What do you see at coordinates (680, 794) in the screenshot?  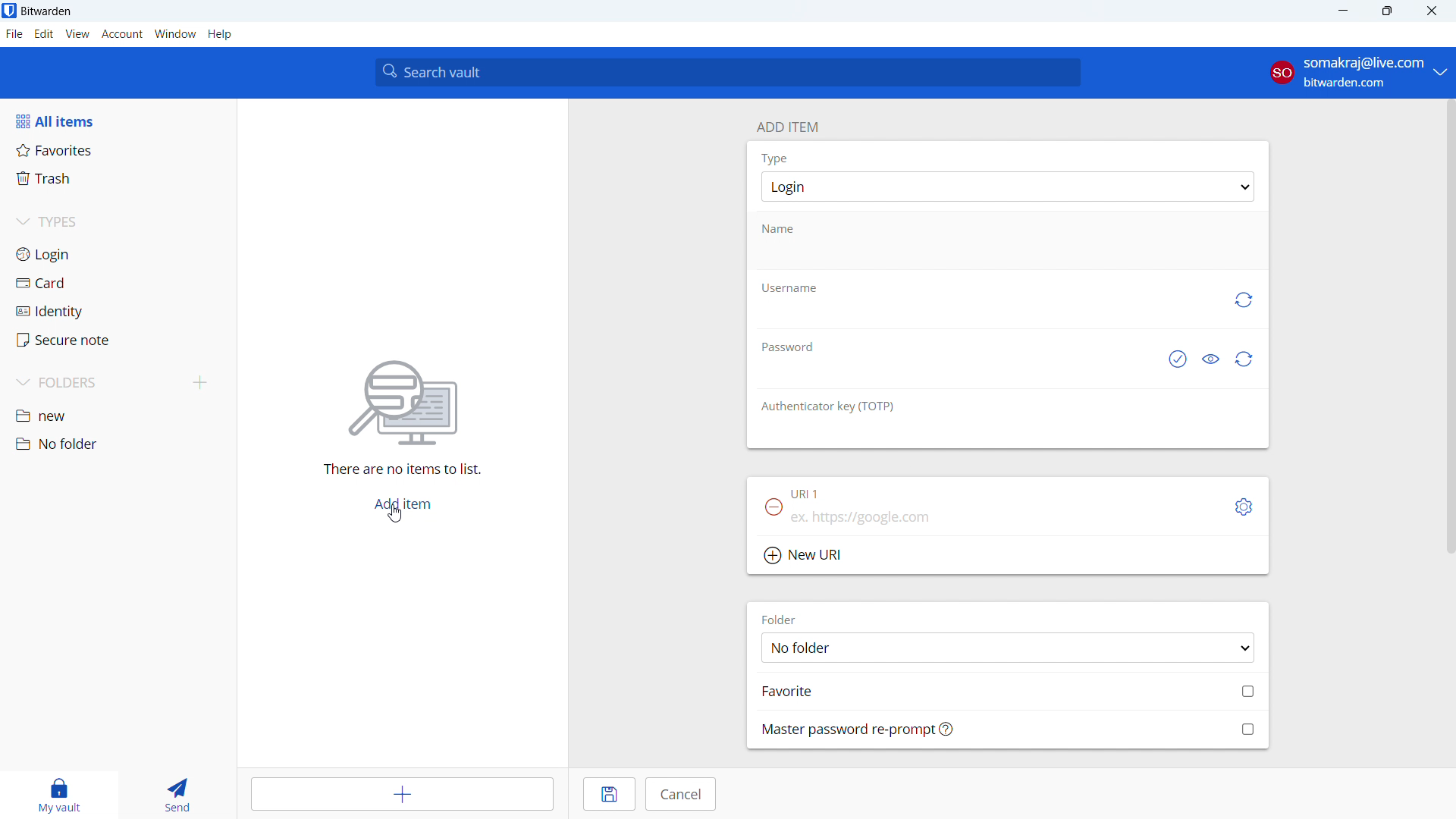 I see `cancel` at bounding box center [680, 794].